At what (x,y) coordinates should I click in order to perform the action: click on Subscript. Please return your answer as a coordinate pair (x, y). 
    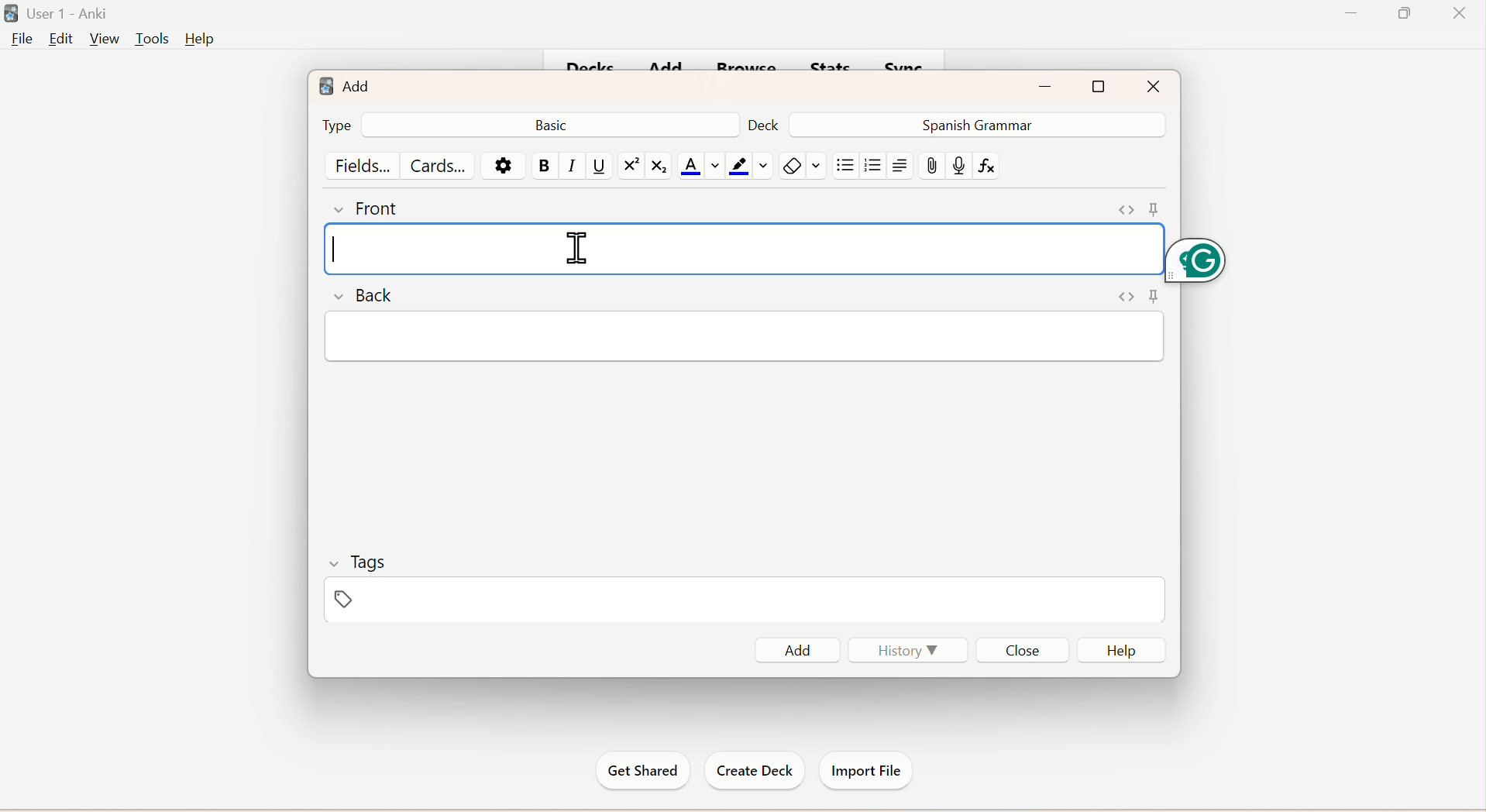
    Looking at the image, I should click on (659, 167).